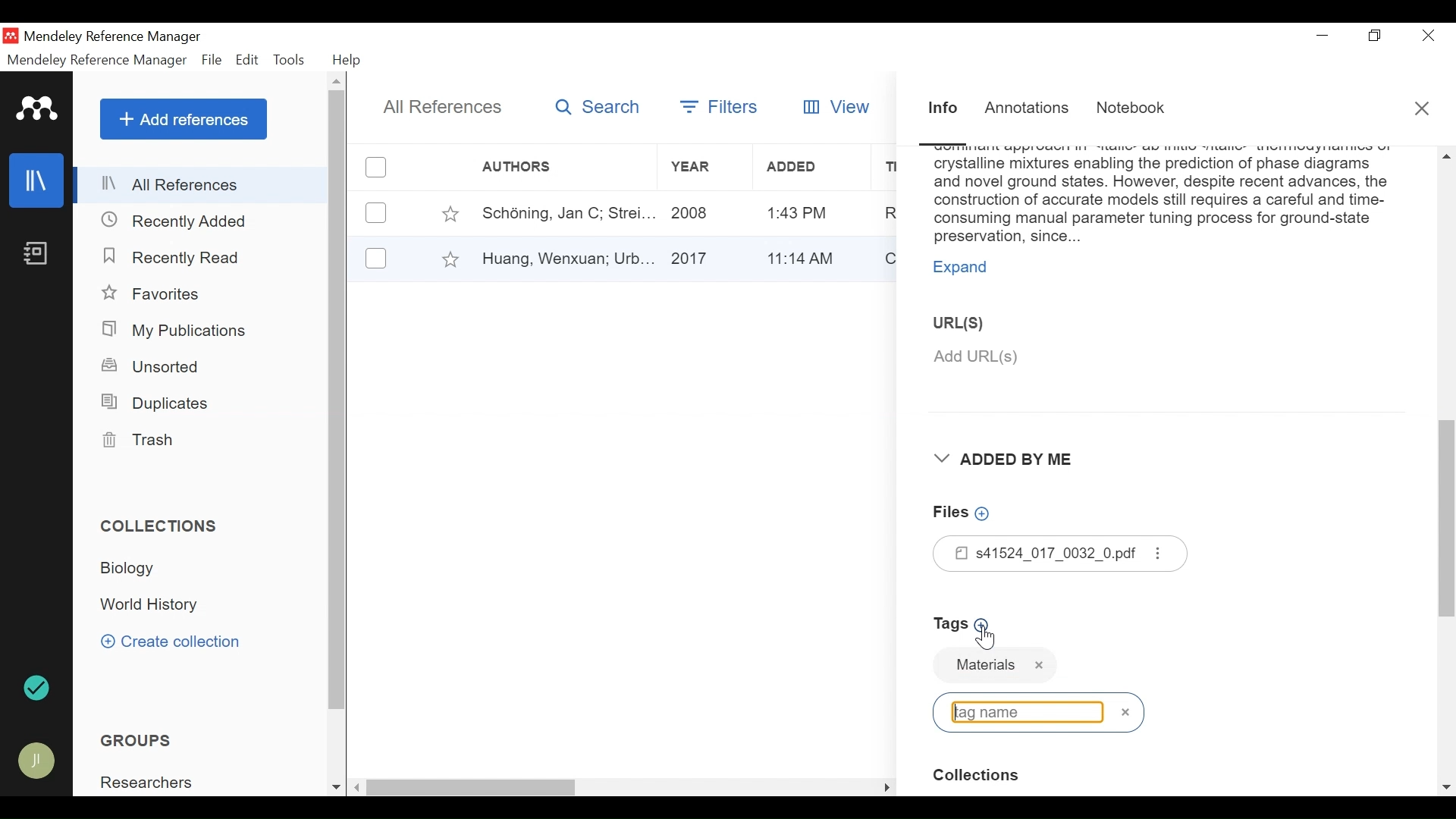 This screenshot has width=1456, height=819. Describe the element at coordinates (133, 568) in the screenshot. I see `Collection` at that location.